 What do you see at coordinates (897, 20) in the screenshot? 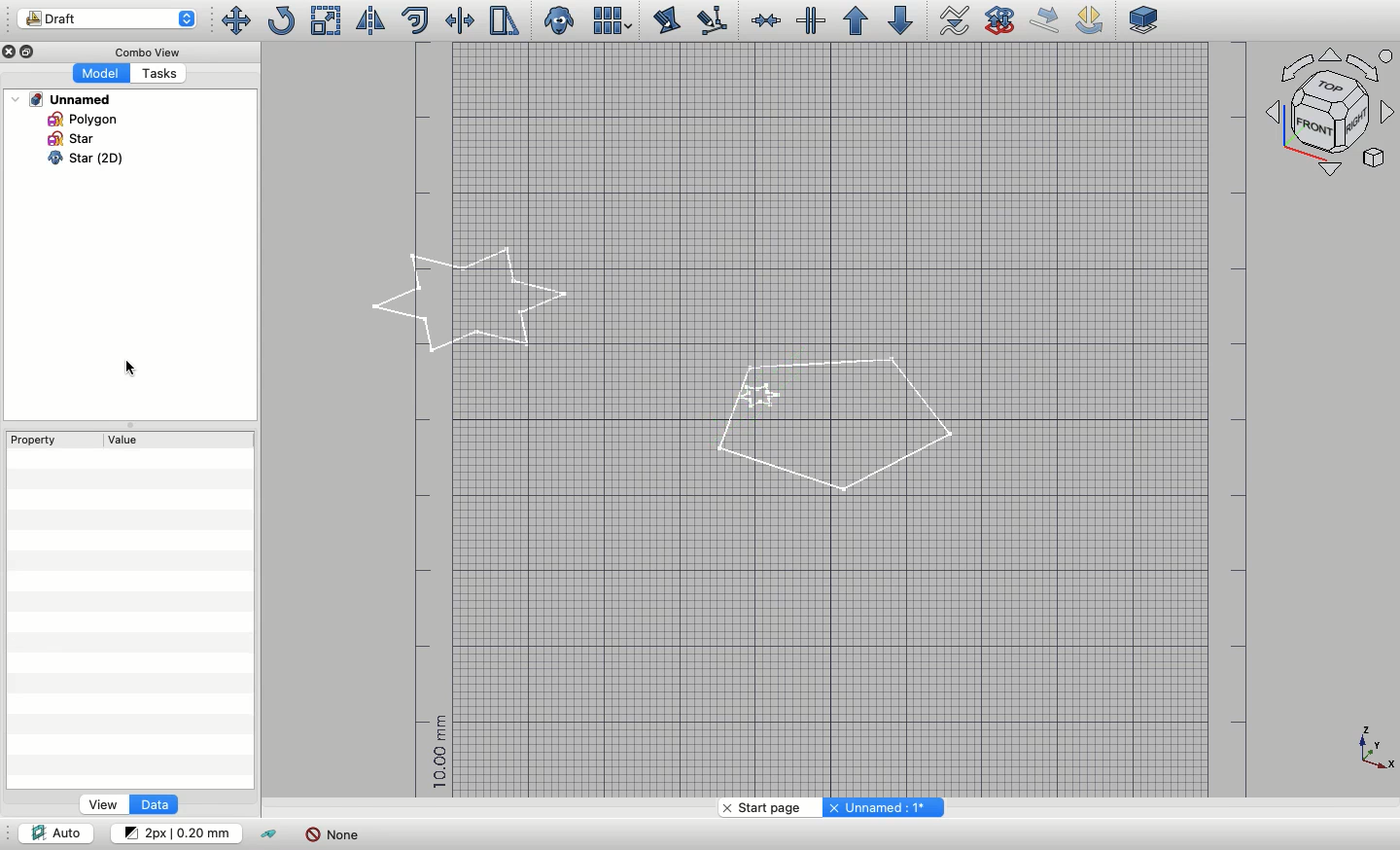
I see `Downgrade` at bounding box center [897, 20].